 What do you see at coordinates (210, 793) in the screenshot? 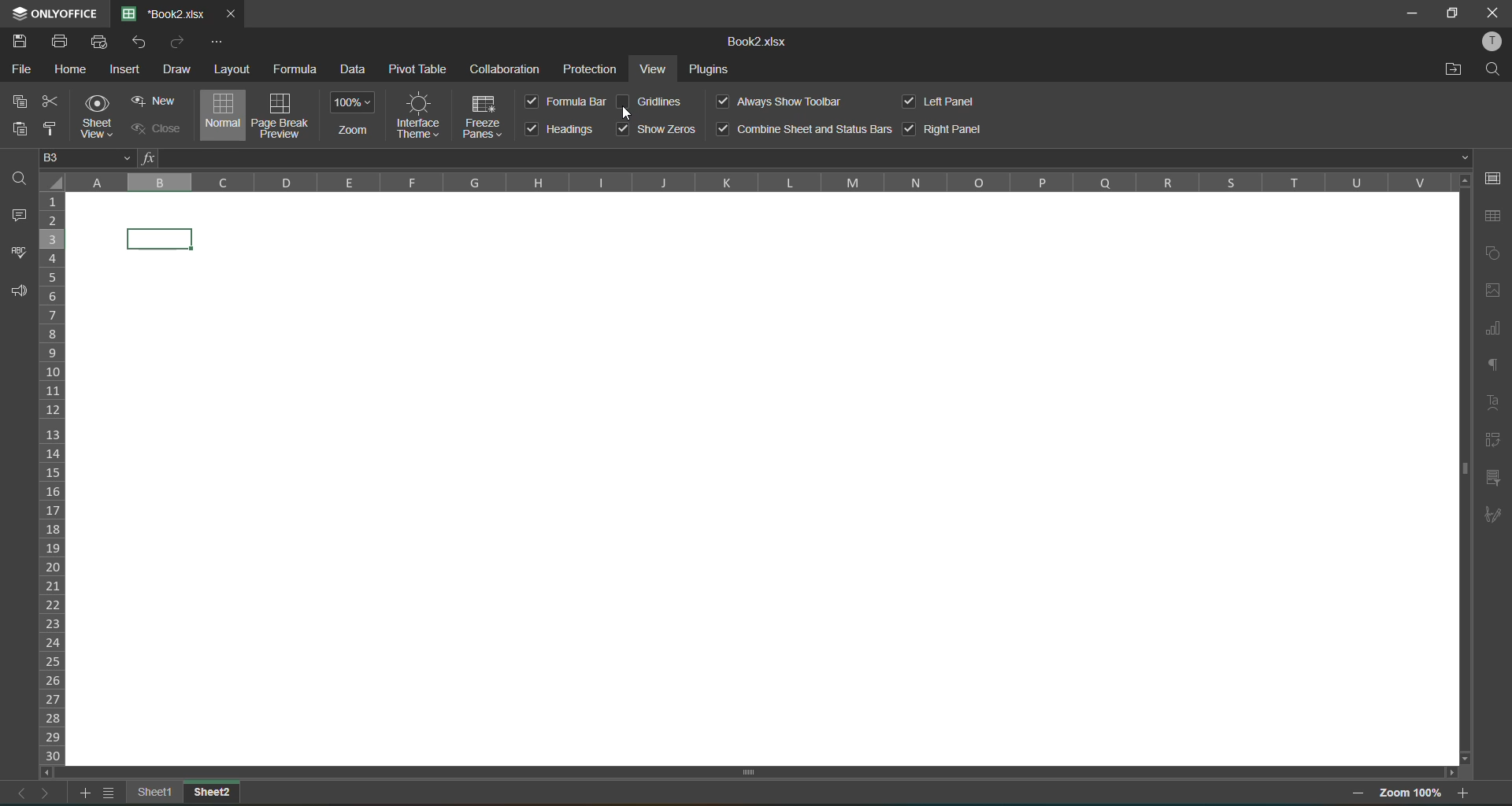
I see `sheet 2` at bounding box center [210, 793].